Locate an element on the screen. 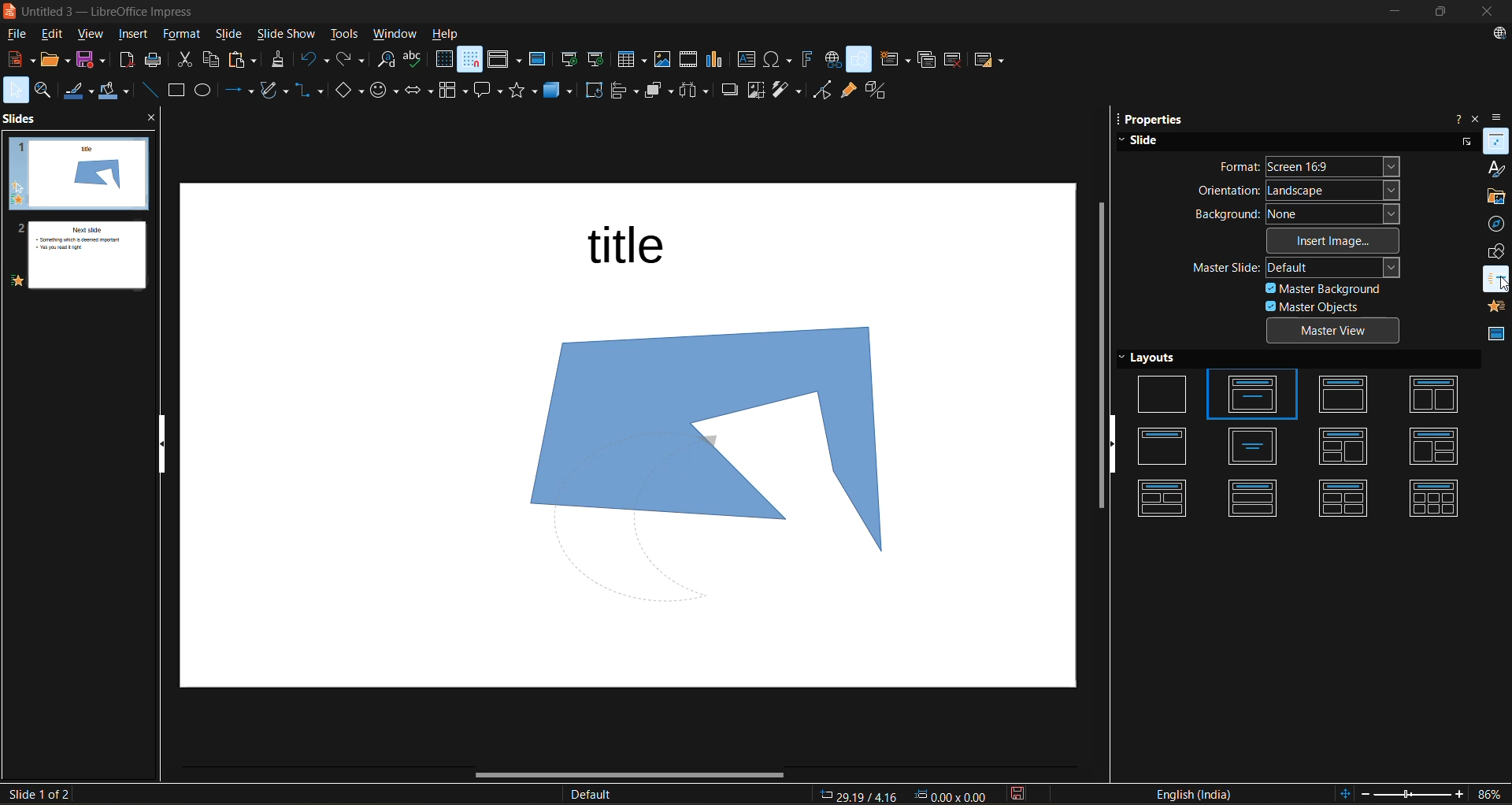 The image size is (1512, 805). table is located at coordinates (634, 61).